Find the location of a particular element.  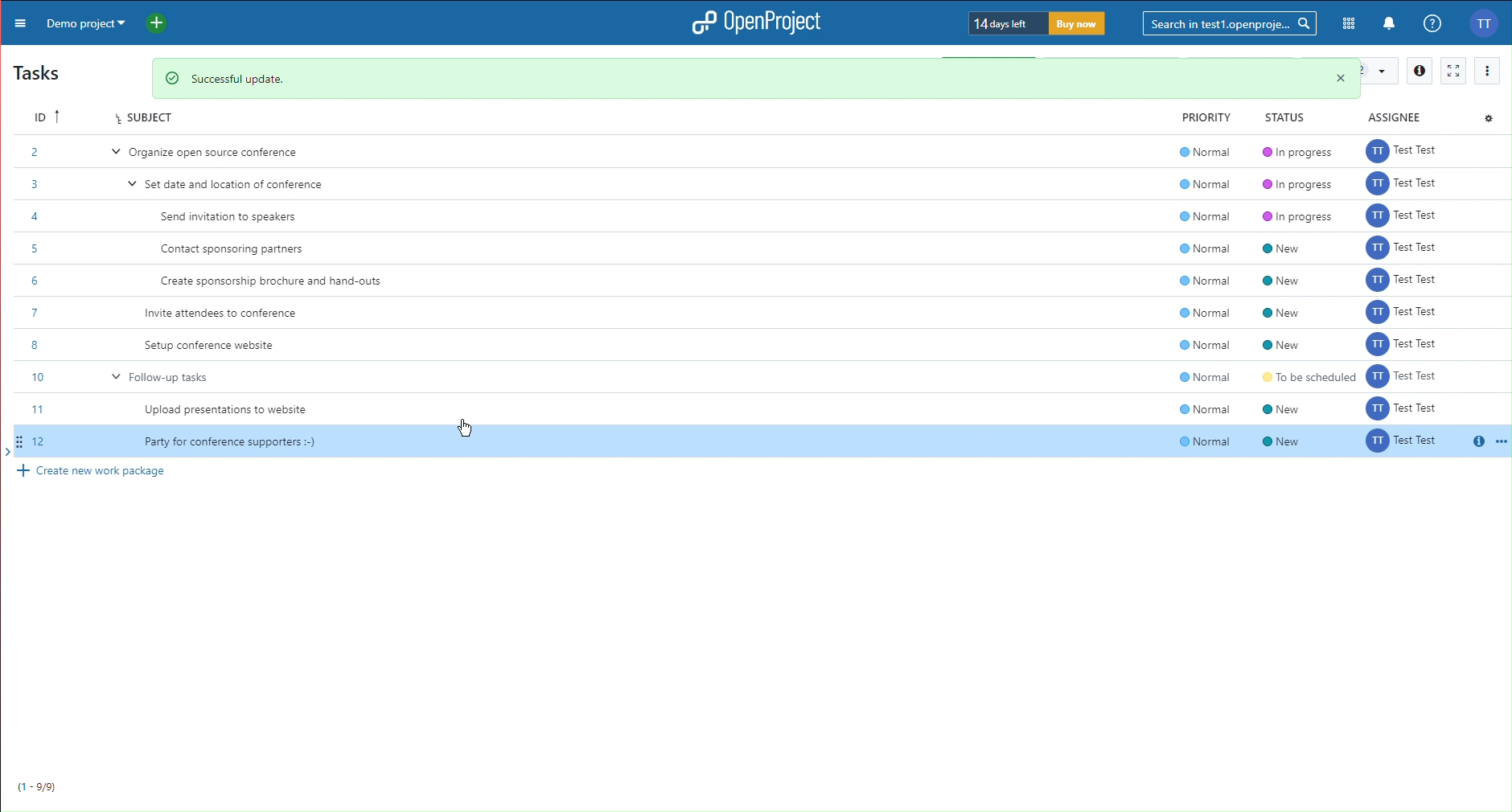

Settings is located at coordinates (1488, 116).